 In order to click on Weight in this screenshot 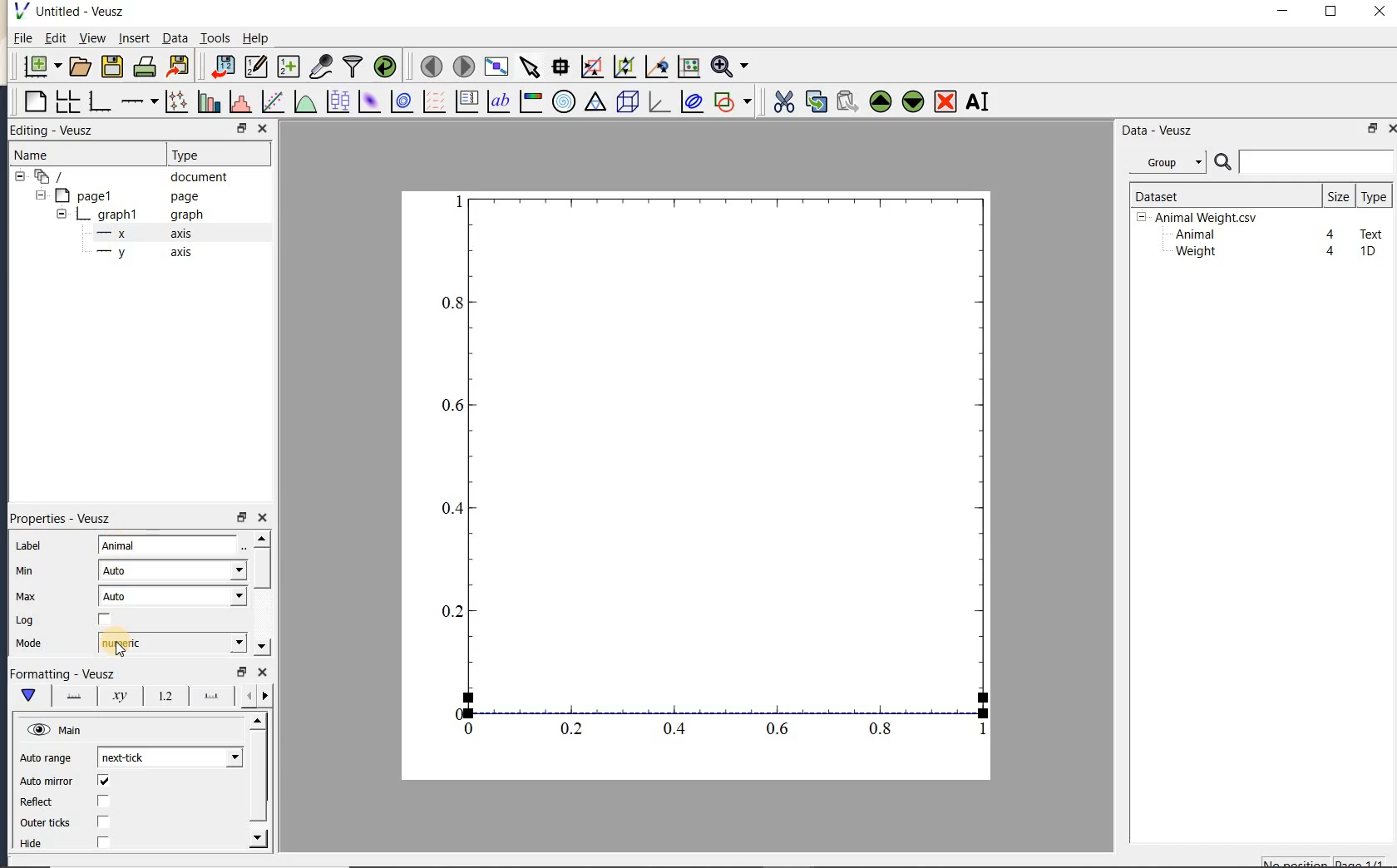, I will do `click(1194, 253)`.